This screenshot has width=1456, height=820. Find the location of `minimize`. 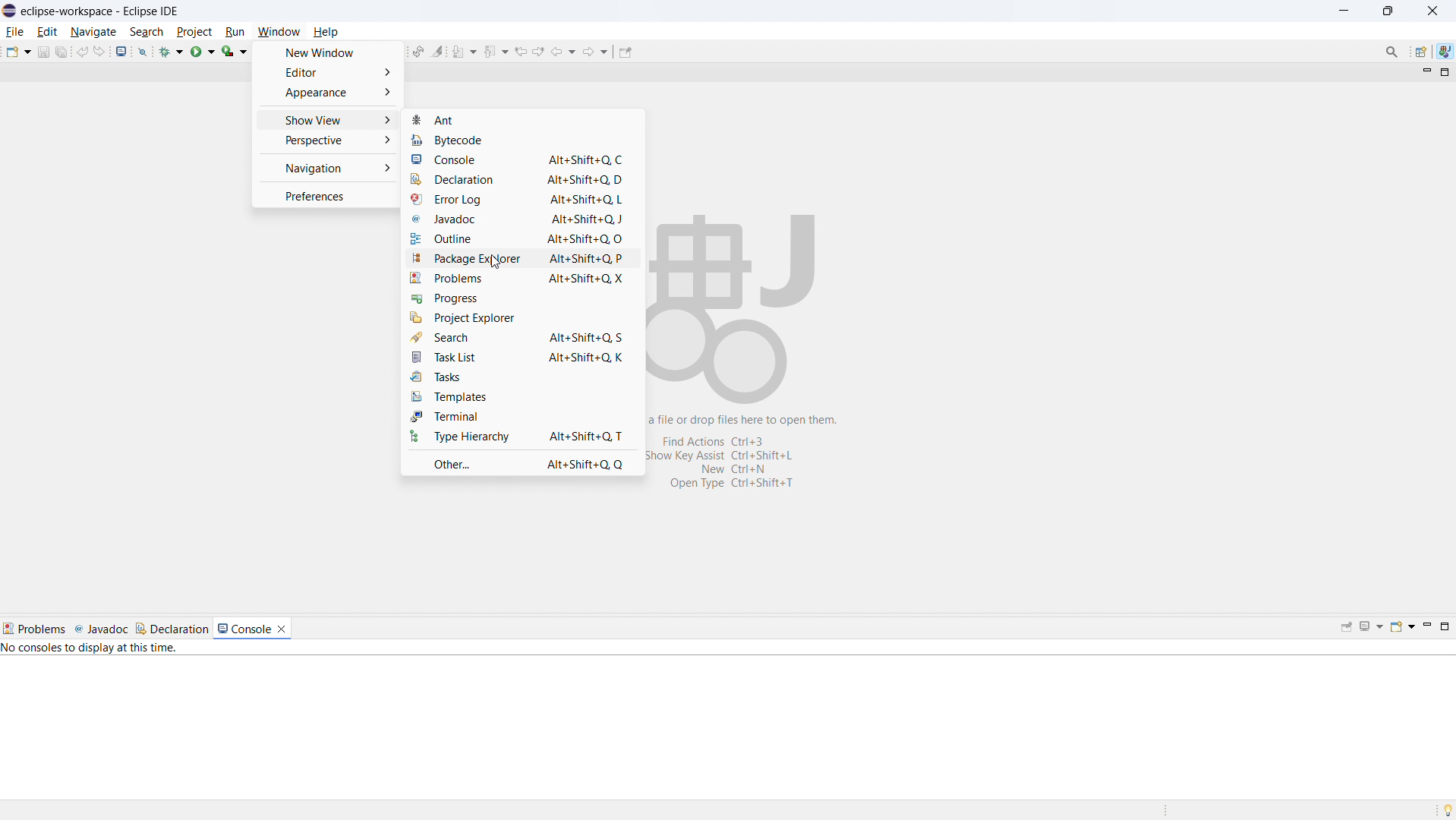

minimize is located at coordinates (1423, 71).